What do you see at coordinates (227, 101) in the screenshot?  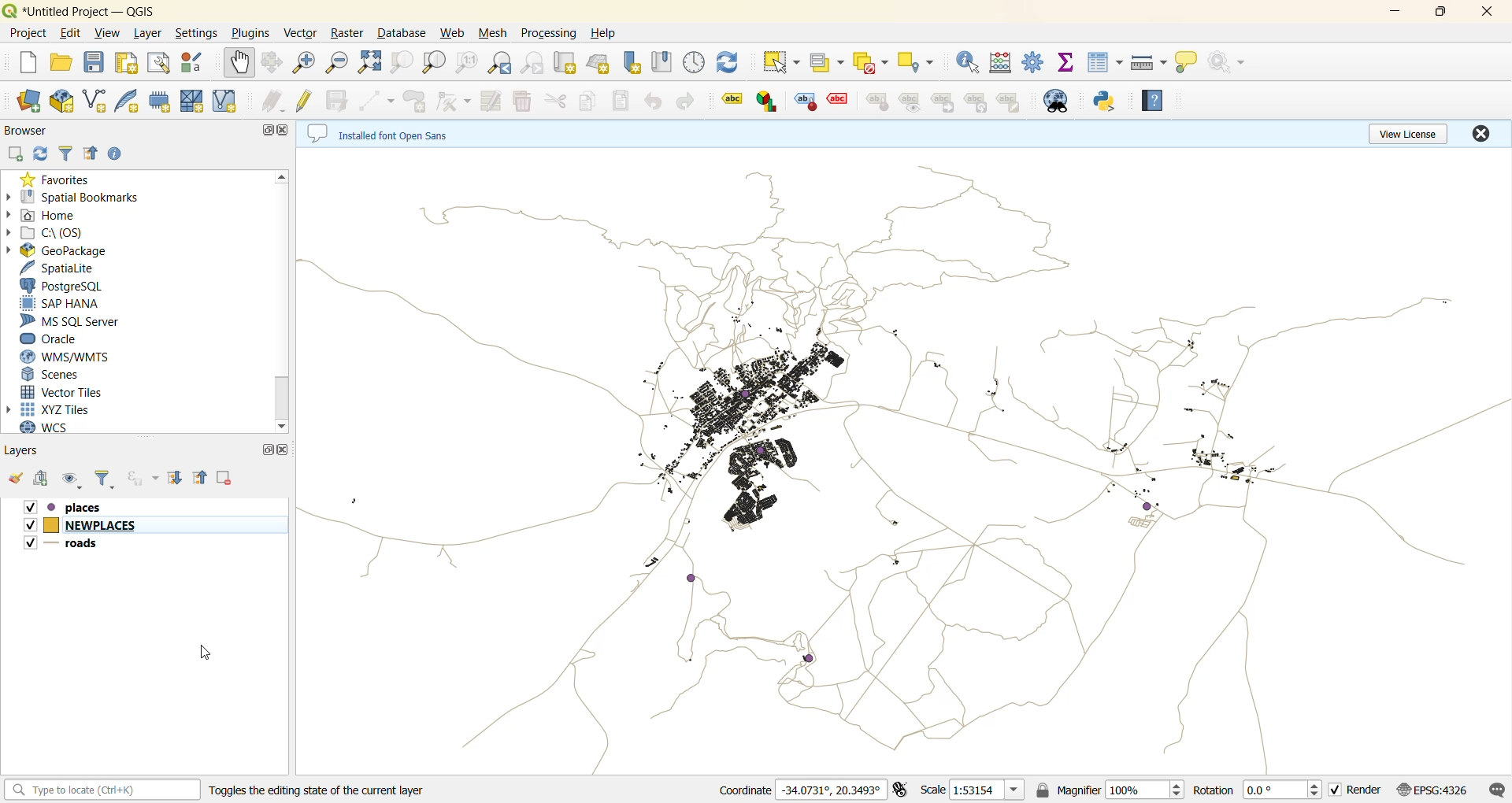 I see `new virtual layer` at bounding box center [227, 101].